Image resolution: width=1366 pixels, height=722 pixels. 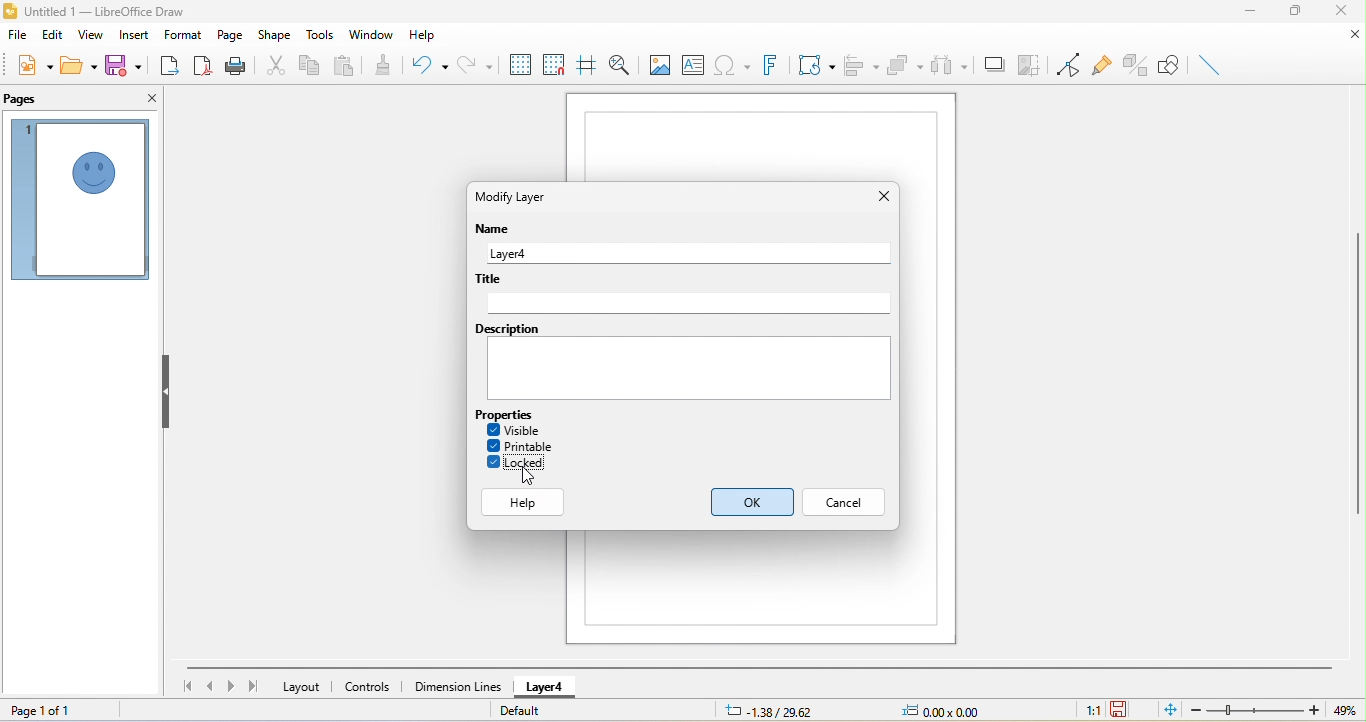 I want to click on properties, so click(x=507, y=414).